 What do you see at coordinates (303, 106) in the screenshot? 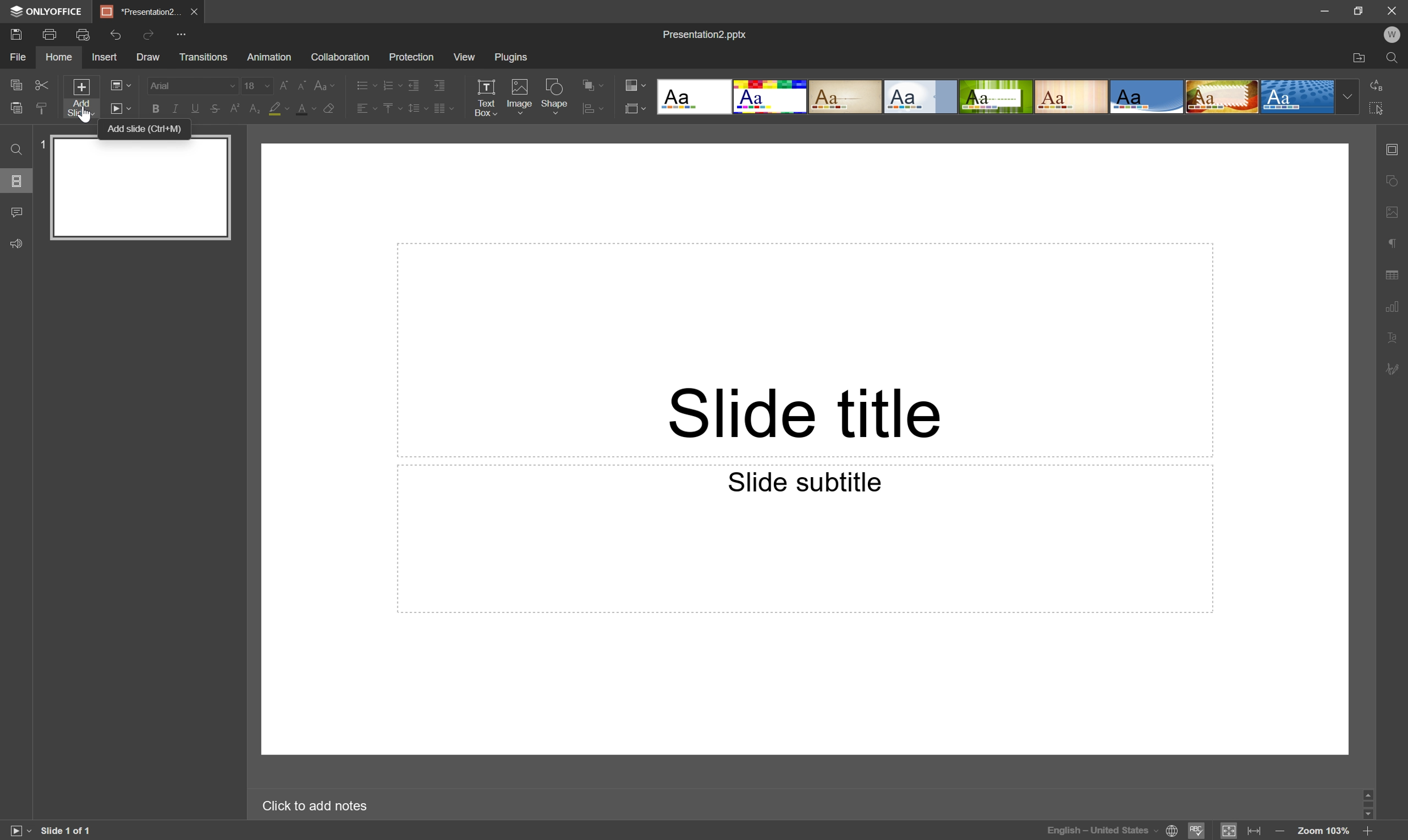
I see `Font color` at bounding box center [303, 106].